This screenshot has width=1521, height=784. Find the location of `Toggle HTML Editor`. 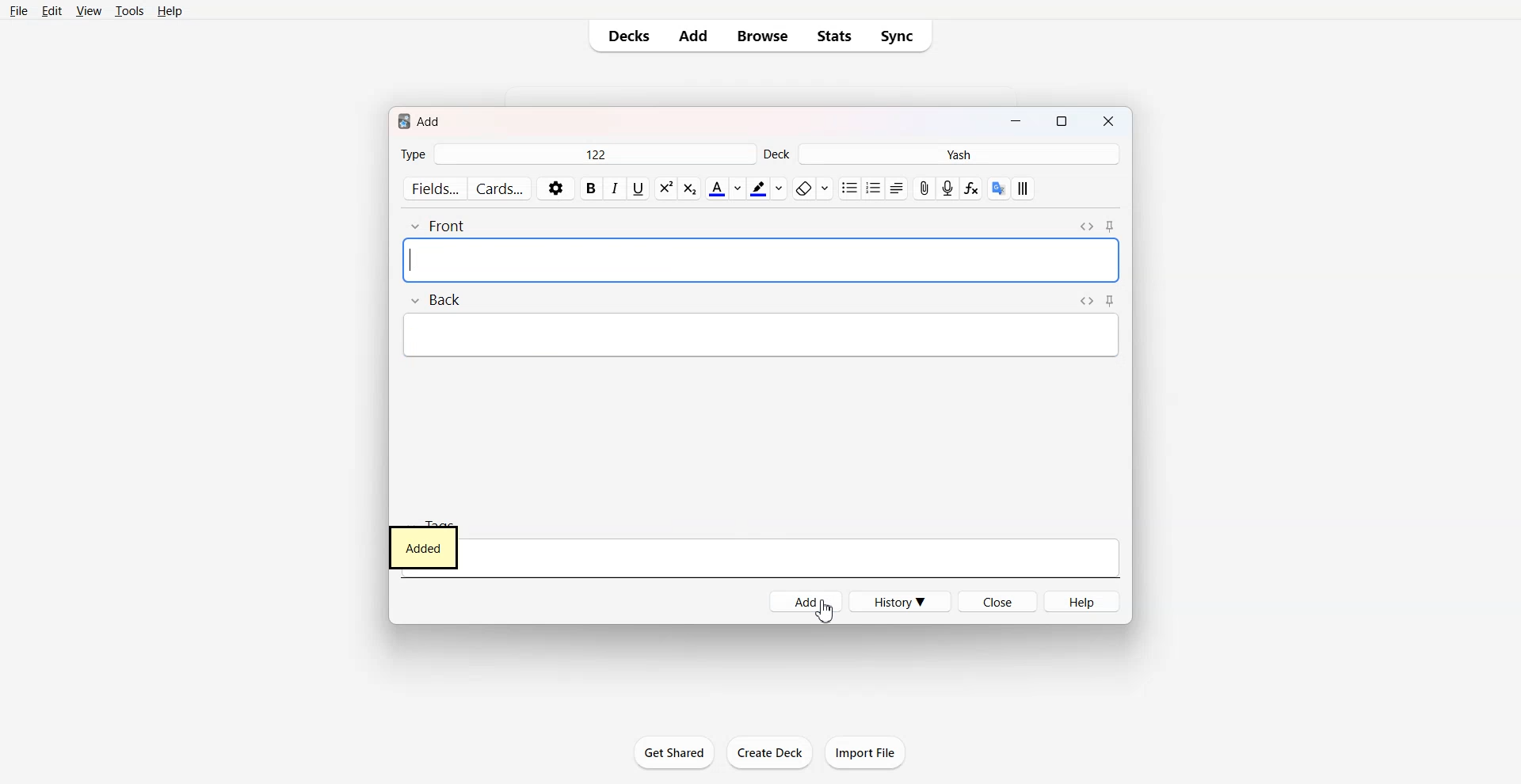

Toggle HTML Editor is located at coordinates (1088, 300).